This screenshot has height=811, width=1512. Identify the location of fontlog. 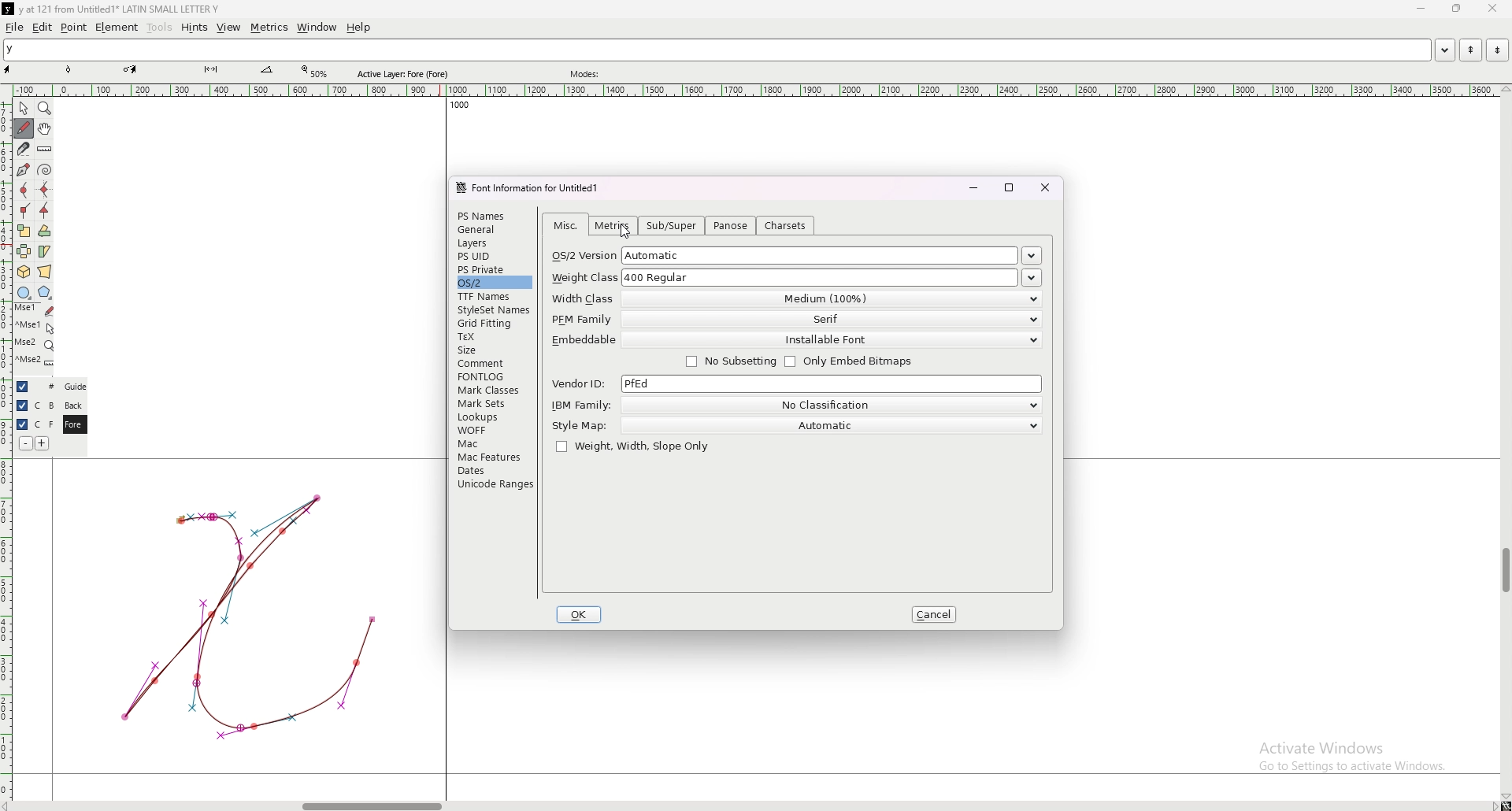
(495, 376).